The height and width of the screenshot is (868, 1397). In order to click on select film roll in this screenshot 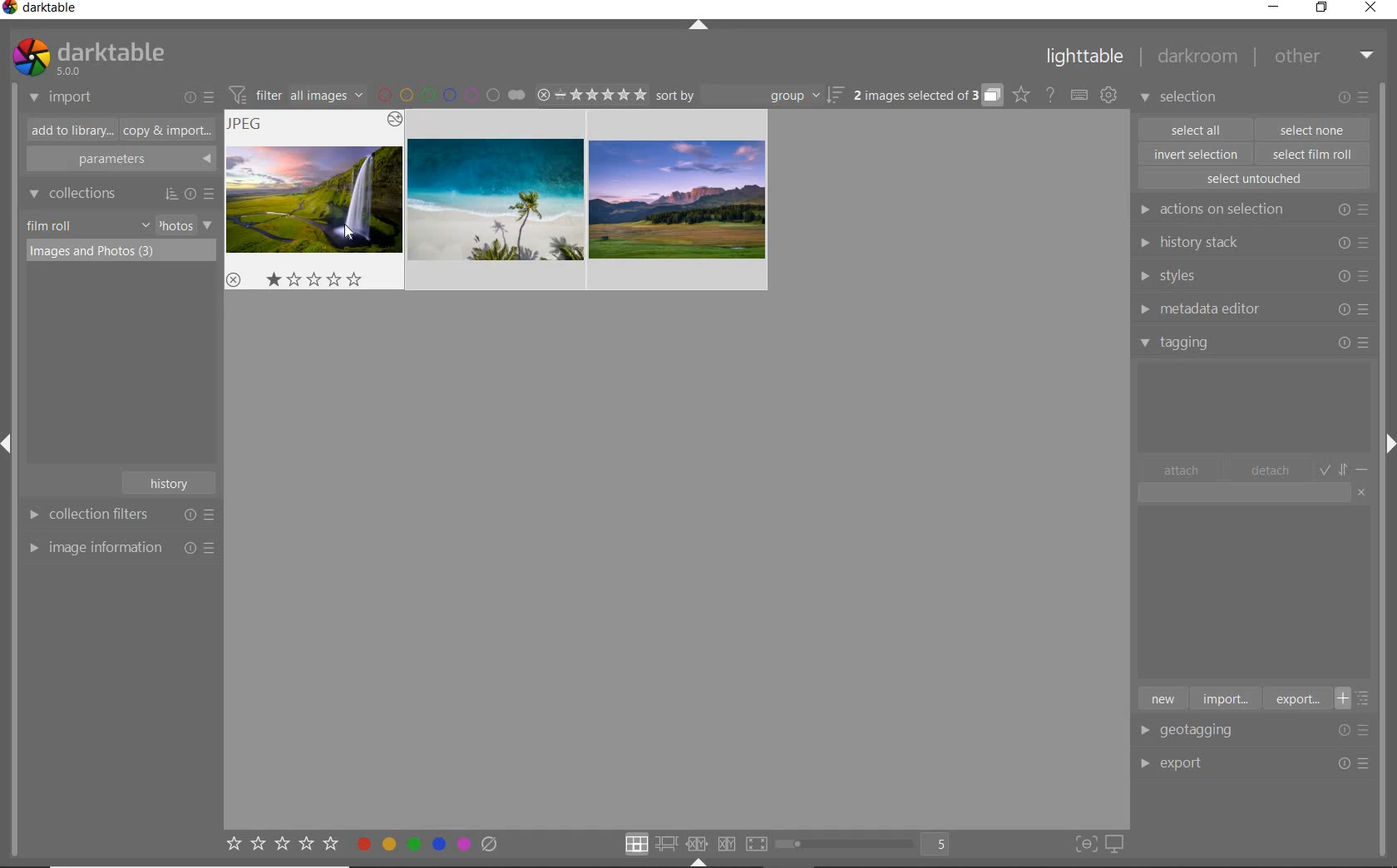, I will do `click(1313, 152)`.